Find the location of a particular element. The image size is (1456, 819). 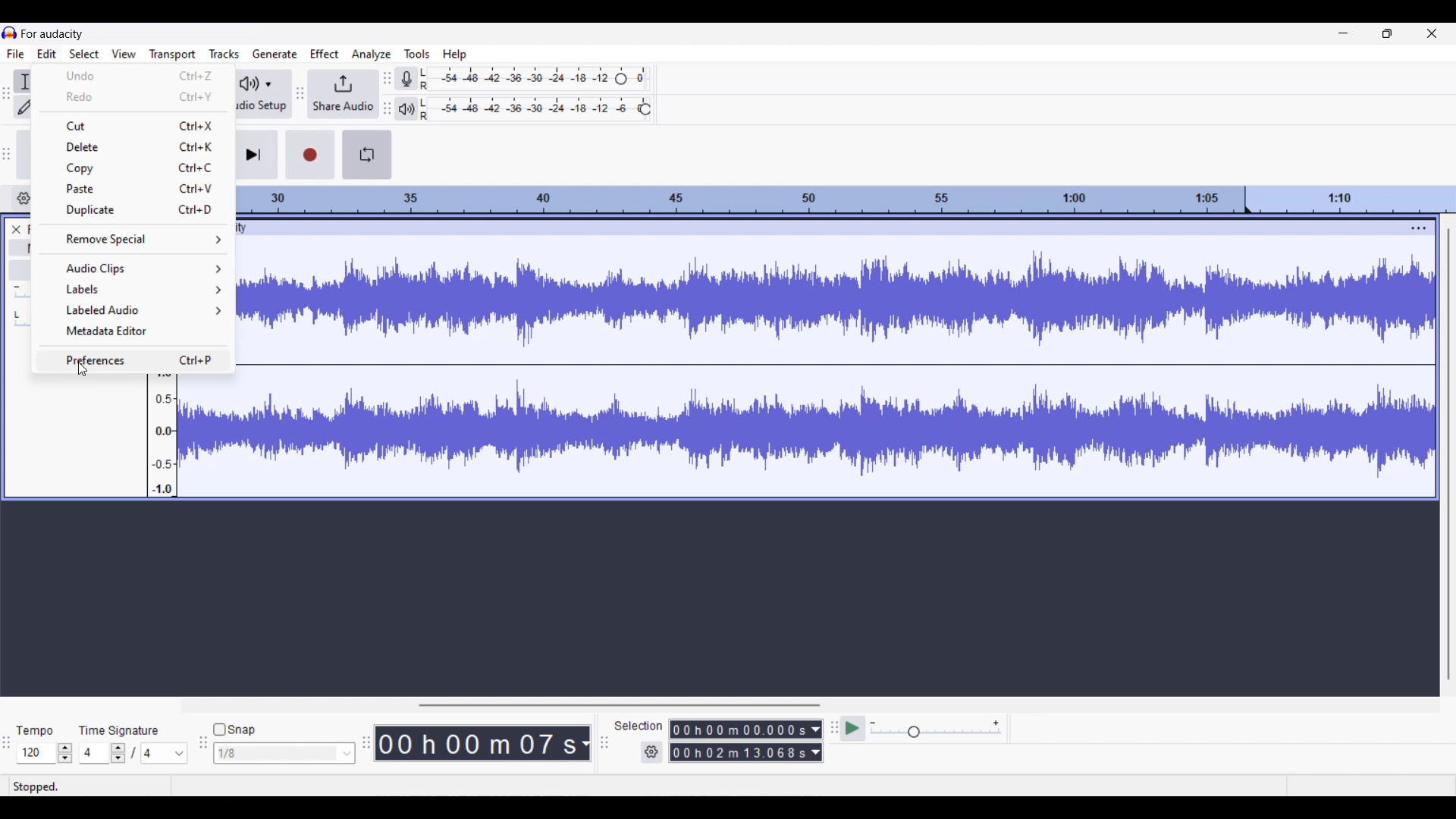

Cursor is located at coordinates (83, 369).